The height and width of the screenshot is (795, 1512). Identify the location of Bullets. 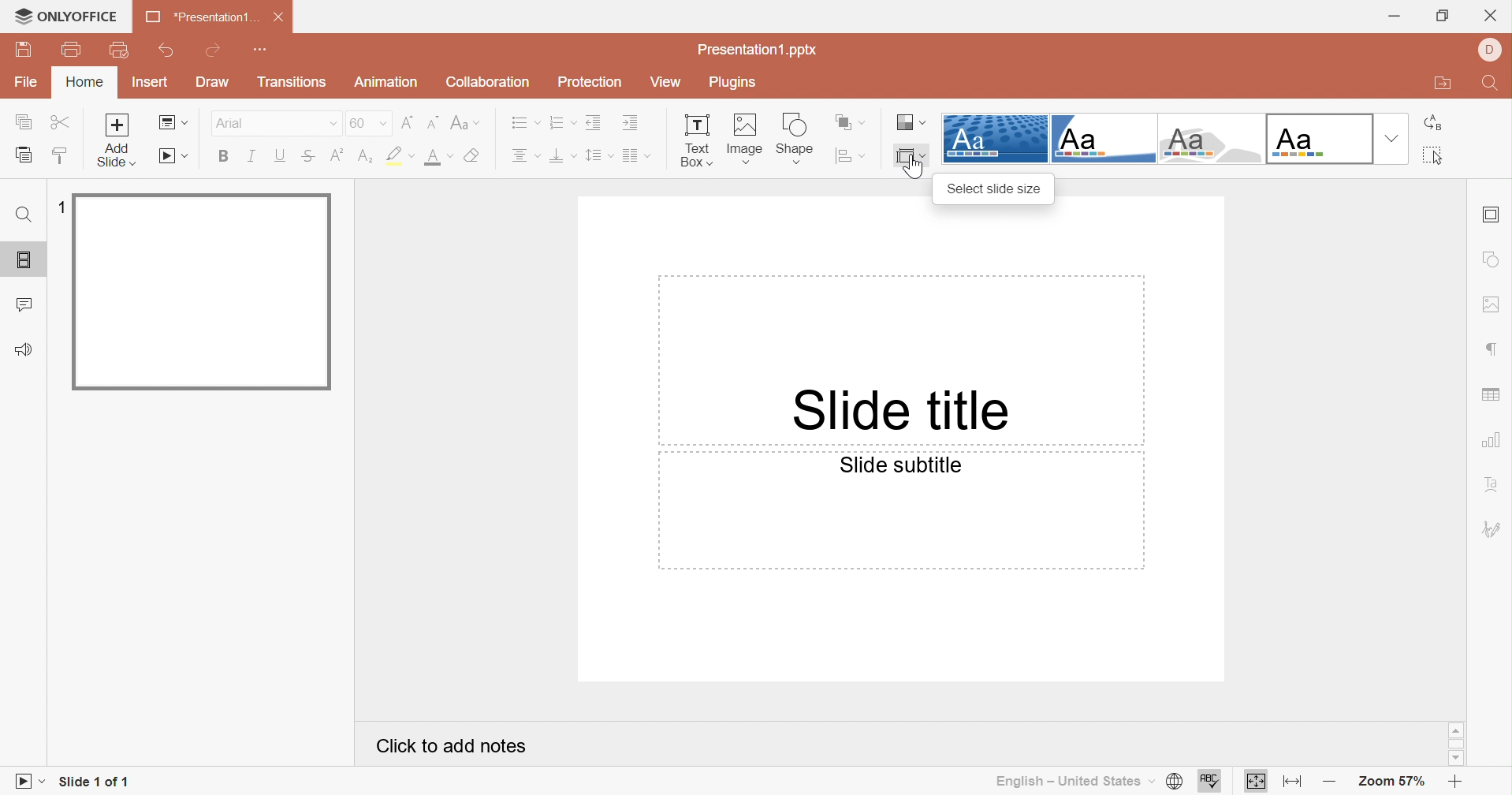
(526, 121).